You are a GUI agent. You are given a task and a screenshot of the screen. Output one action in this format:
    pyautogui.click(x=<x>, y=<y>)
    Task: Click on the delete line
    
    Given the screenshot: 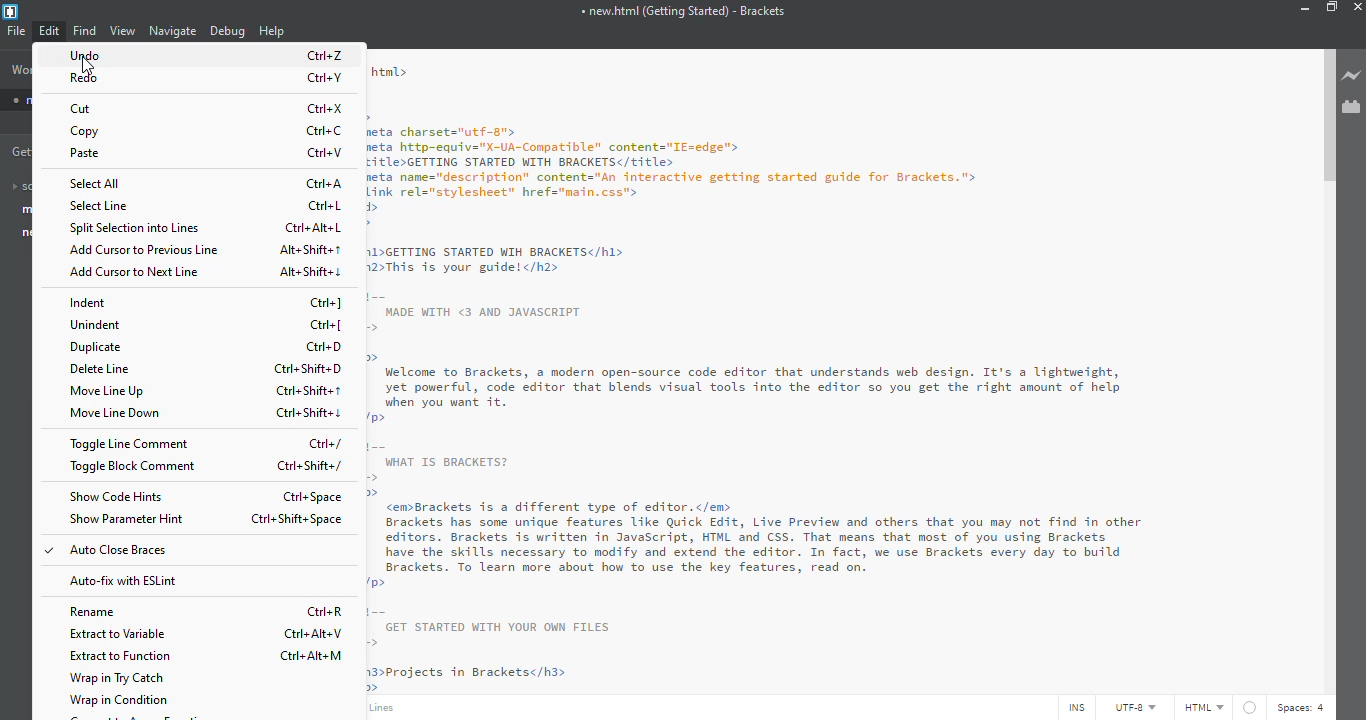 What is the action you would take?
    pyautogui.click(x=102, y=368)
    